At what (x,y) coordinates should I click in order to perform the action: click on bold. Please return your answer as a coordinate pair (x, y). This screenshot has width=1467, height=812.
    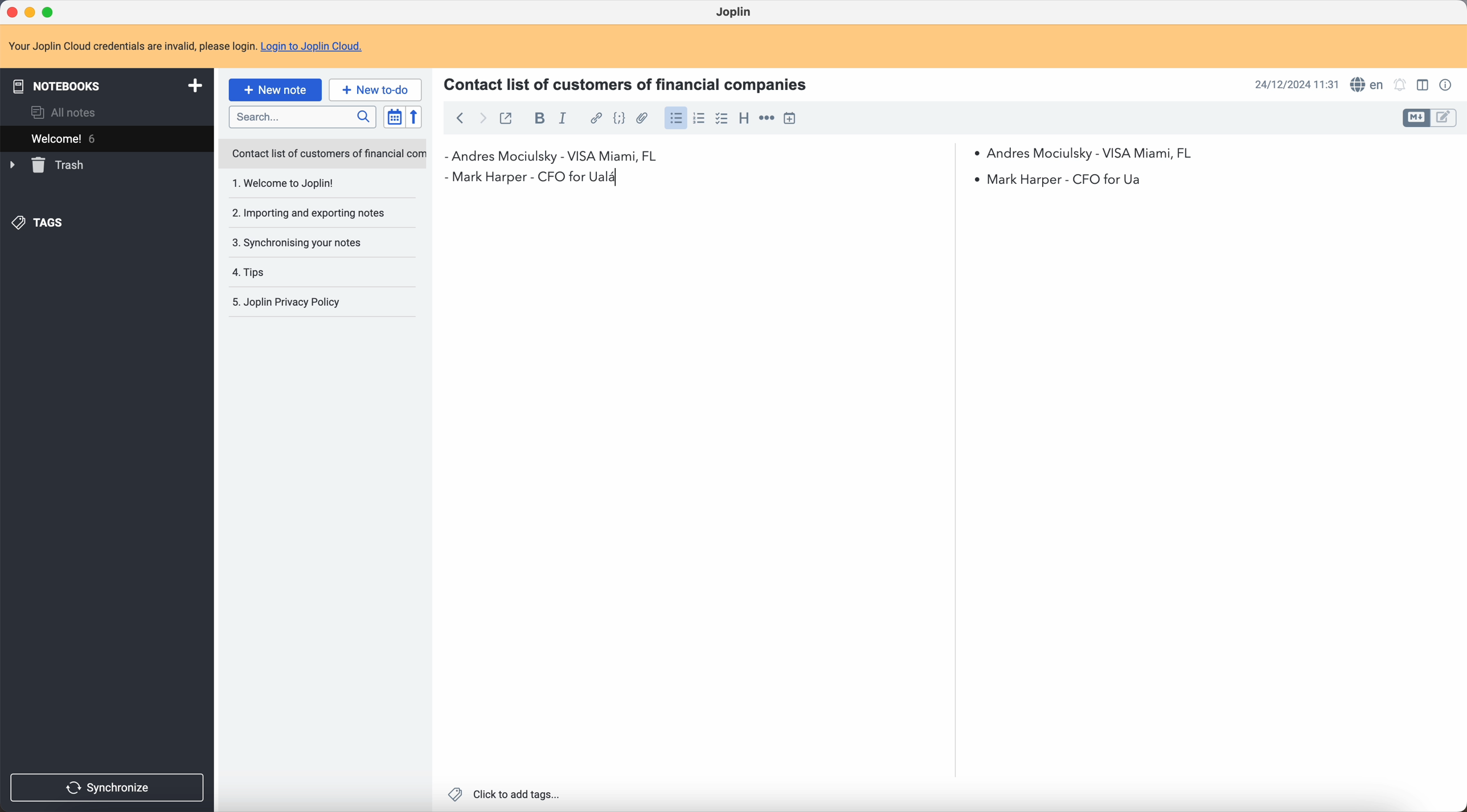
    Looking at the image, I should click on (538, 118).